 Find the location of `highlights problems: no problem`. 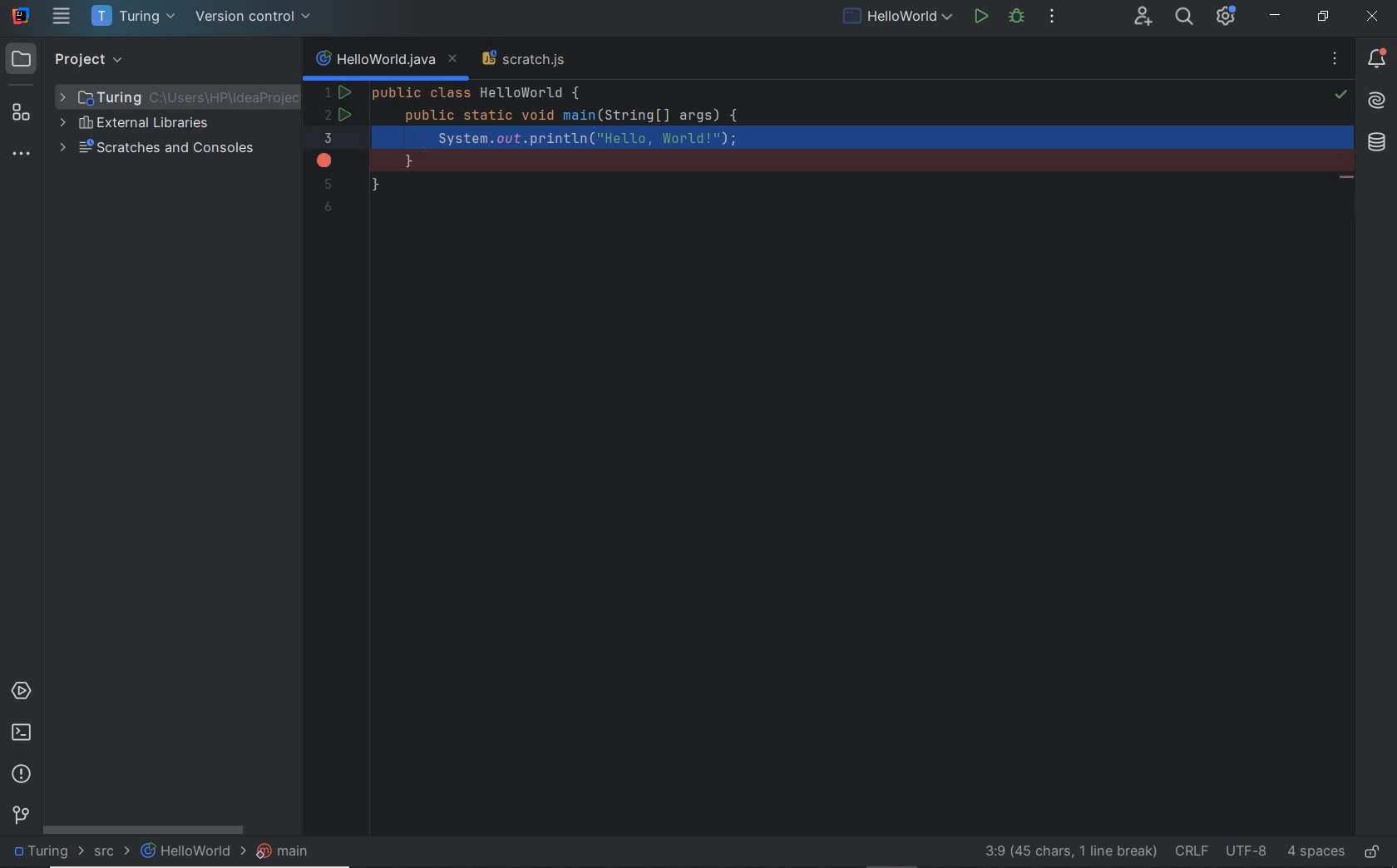

highlights problems: no problem is located at coordinates (1341, 96).